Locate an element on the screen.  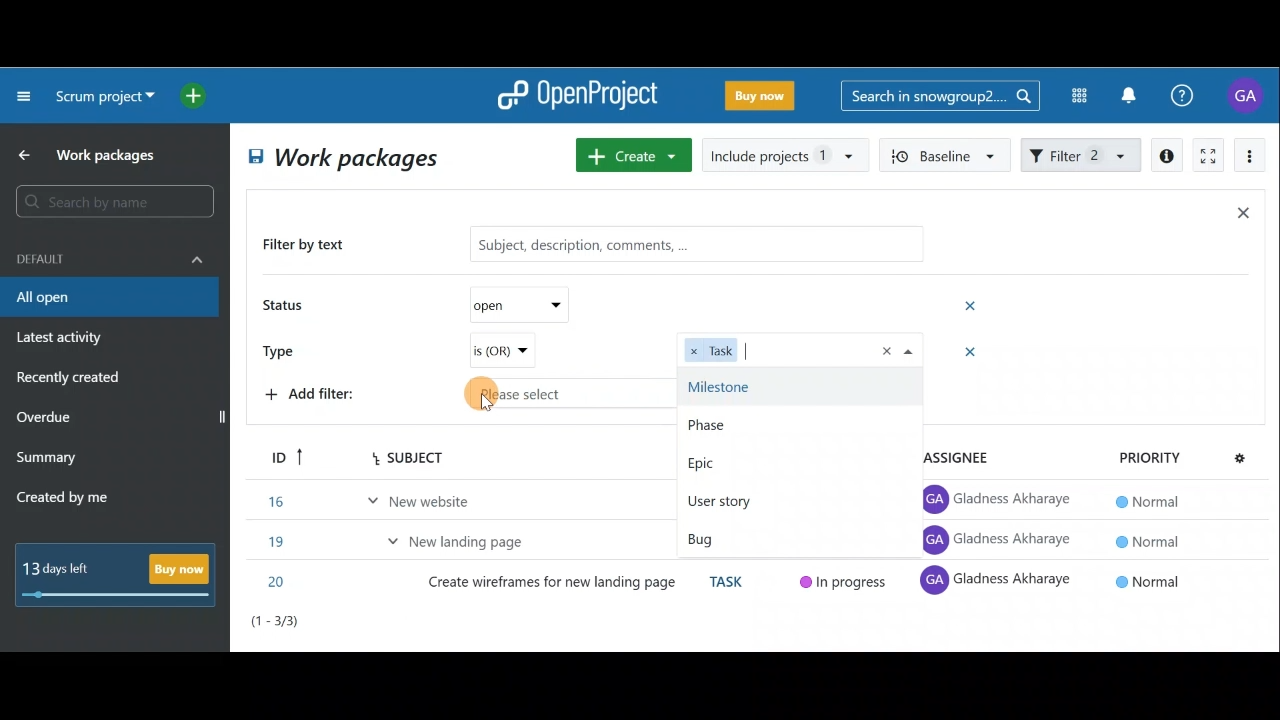
Baseline is located at coordinates (942, 154).